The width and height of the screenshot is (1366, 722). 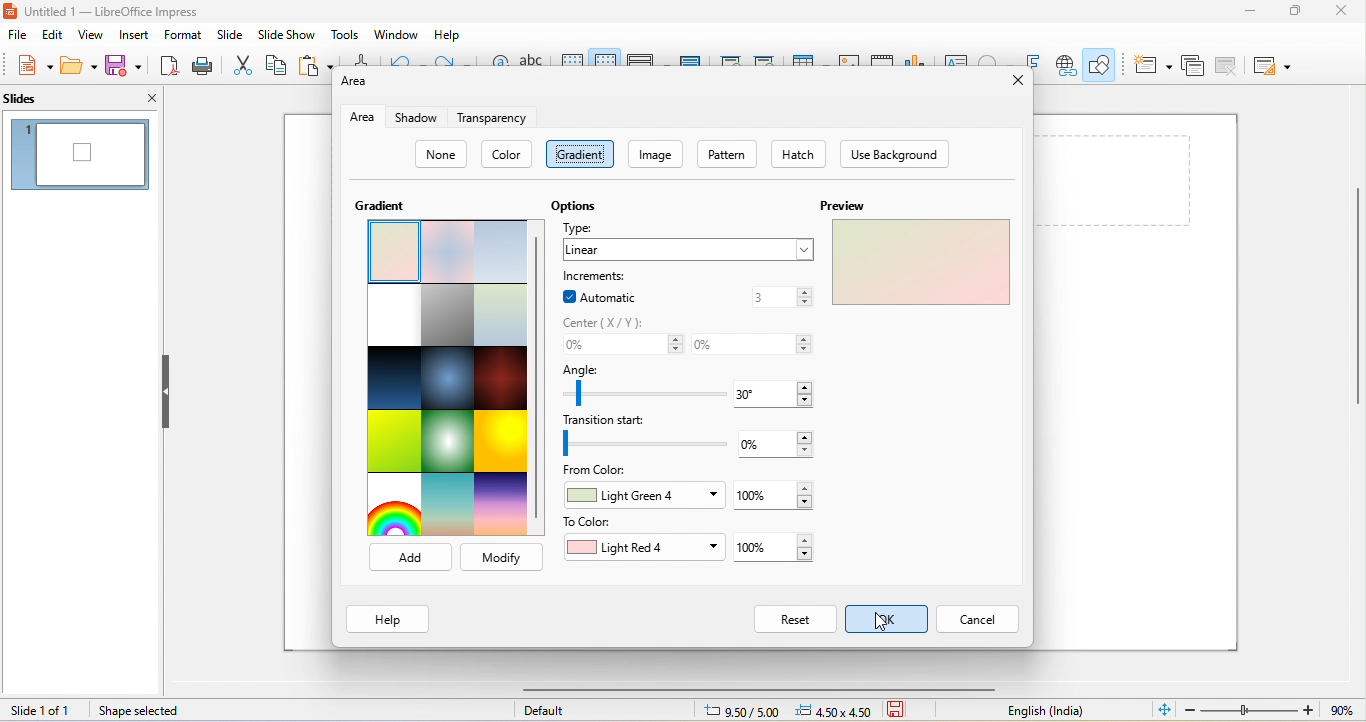 What do you see at coordinates (502, 557) in the screenshot?
I see `modify` at bounding box center [502, 557].